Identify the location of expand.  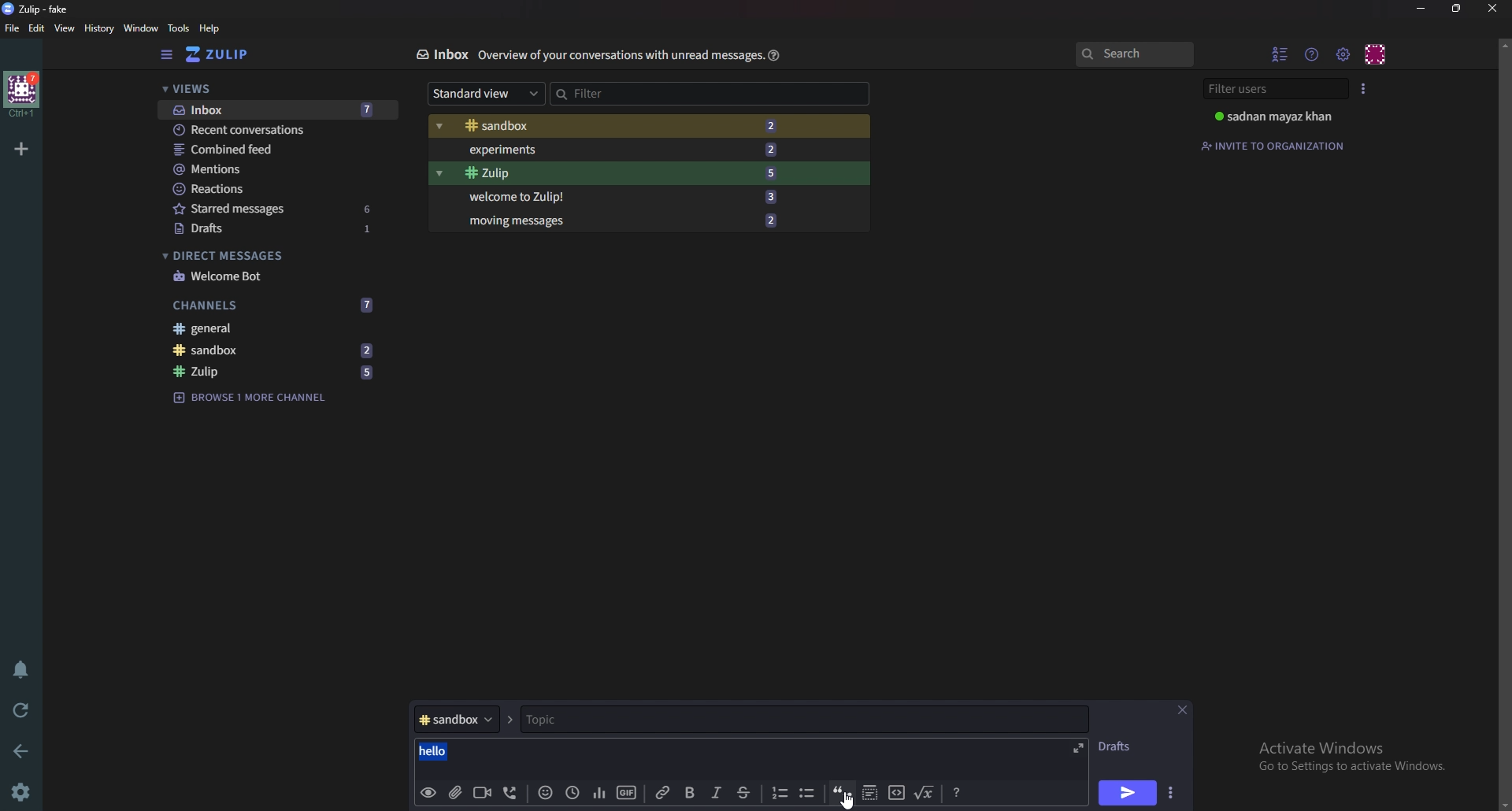
(1079, 748).